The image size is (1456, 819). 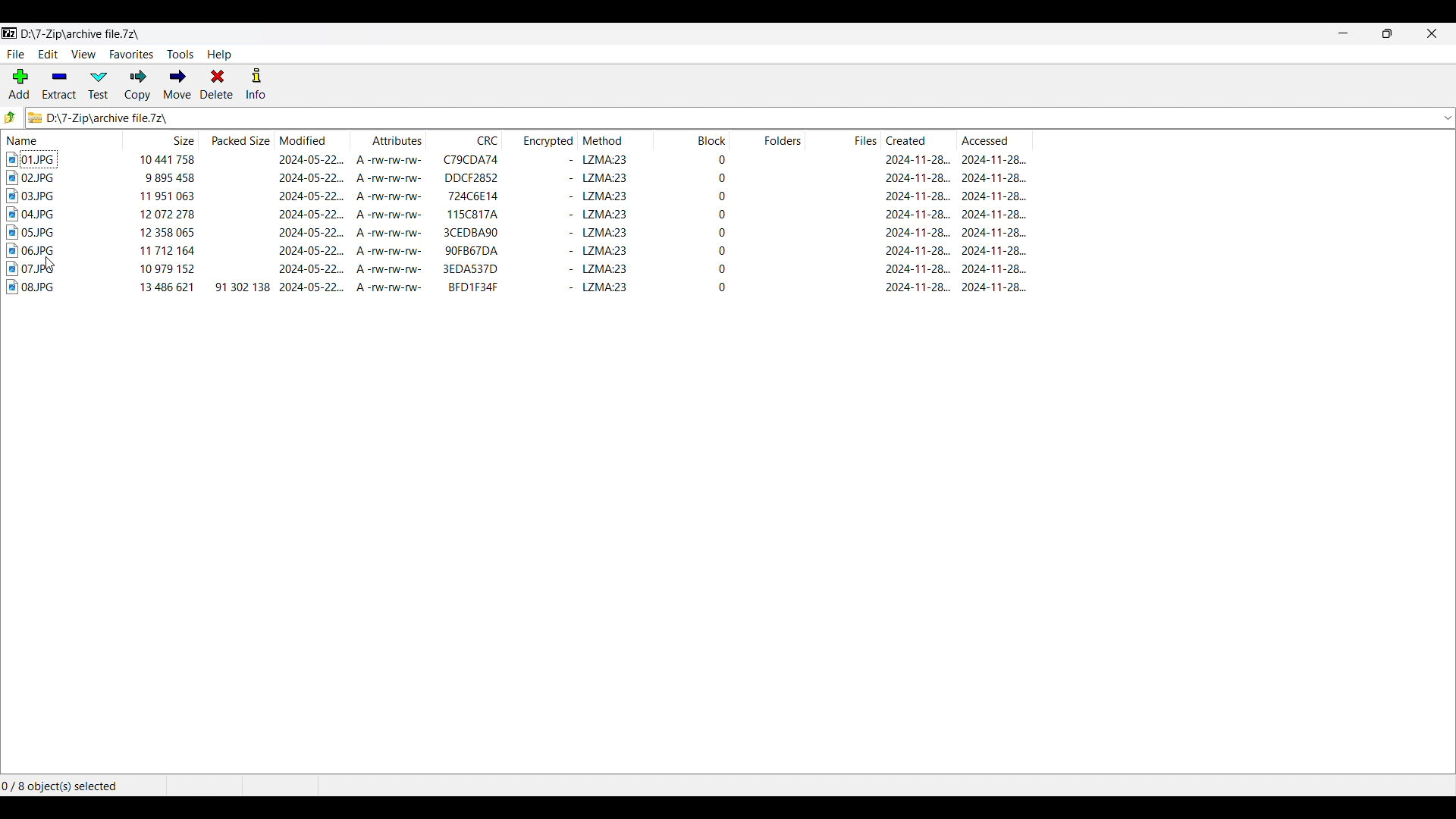 What do you see at coordinates (388, 232) in the screenshot?
I see `attributes` at bounding box center [388, 232].